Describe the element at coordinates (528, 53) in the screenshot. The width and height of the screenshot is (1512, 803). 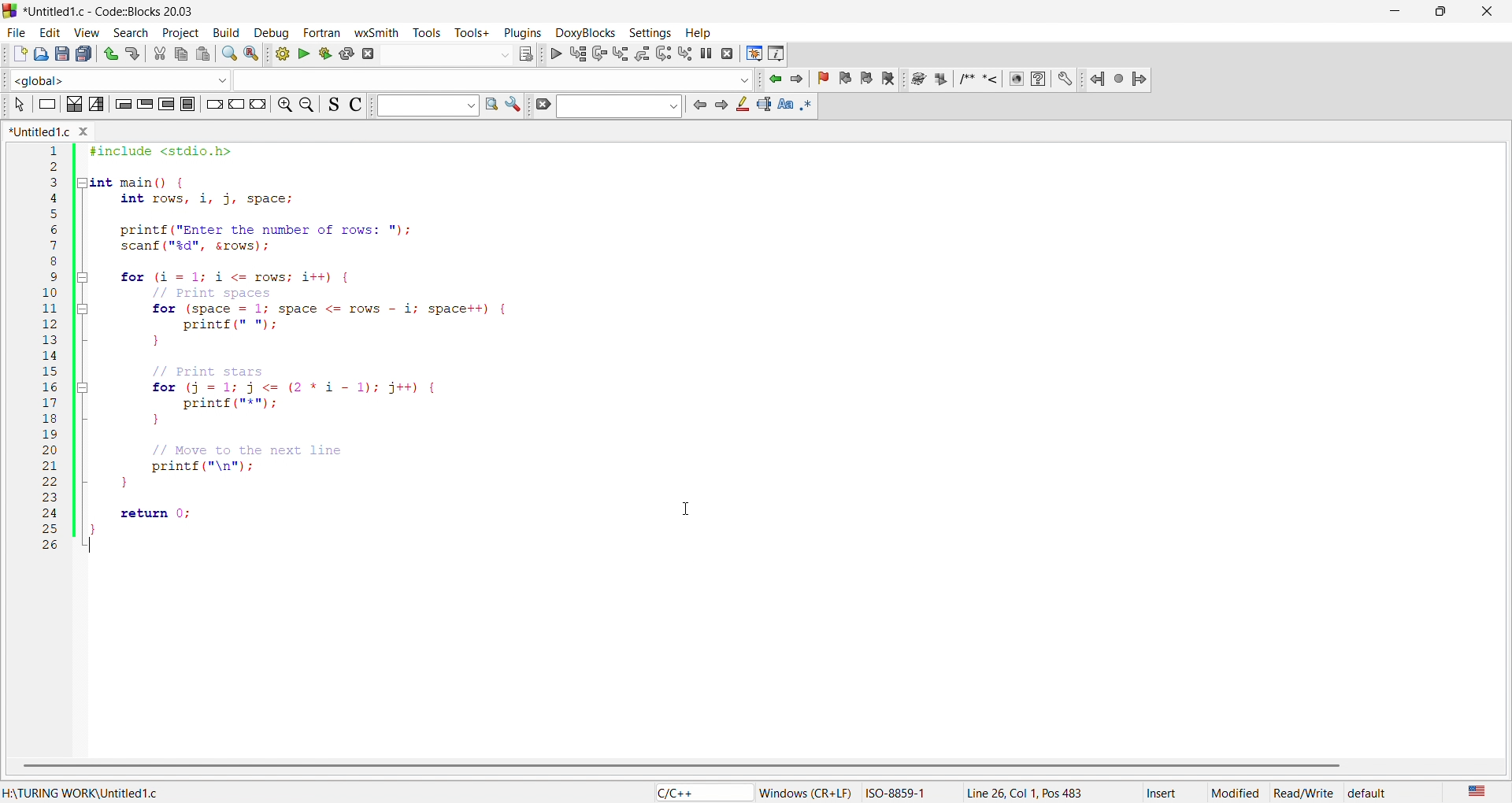
I see `icon` at that location.